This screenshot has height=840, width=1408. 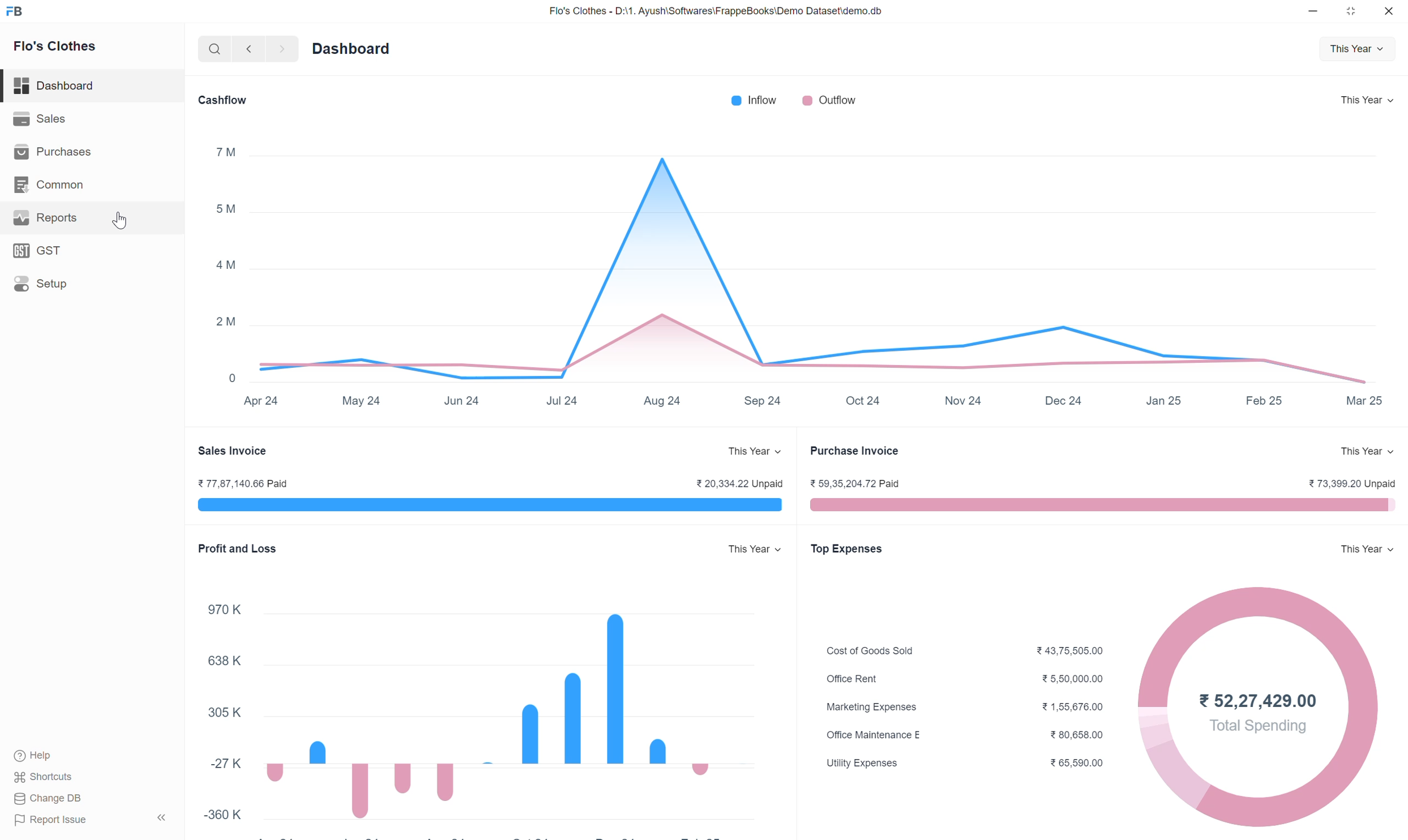 What do you see at coordinates (220, 762) in the screenshot?
I see `27K` at bounding box center [220, 762].